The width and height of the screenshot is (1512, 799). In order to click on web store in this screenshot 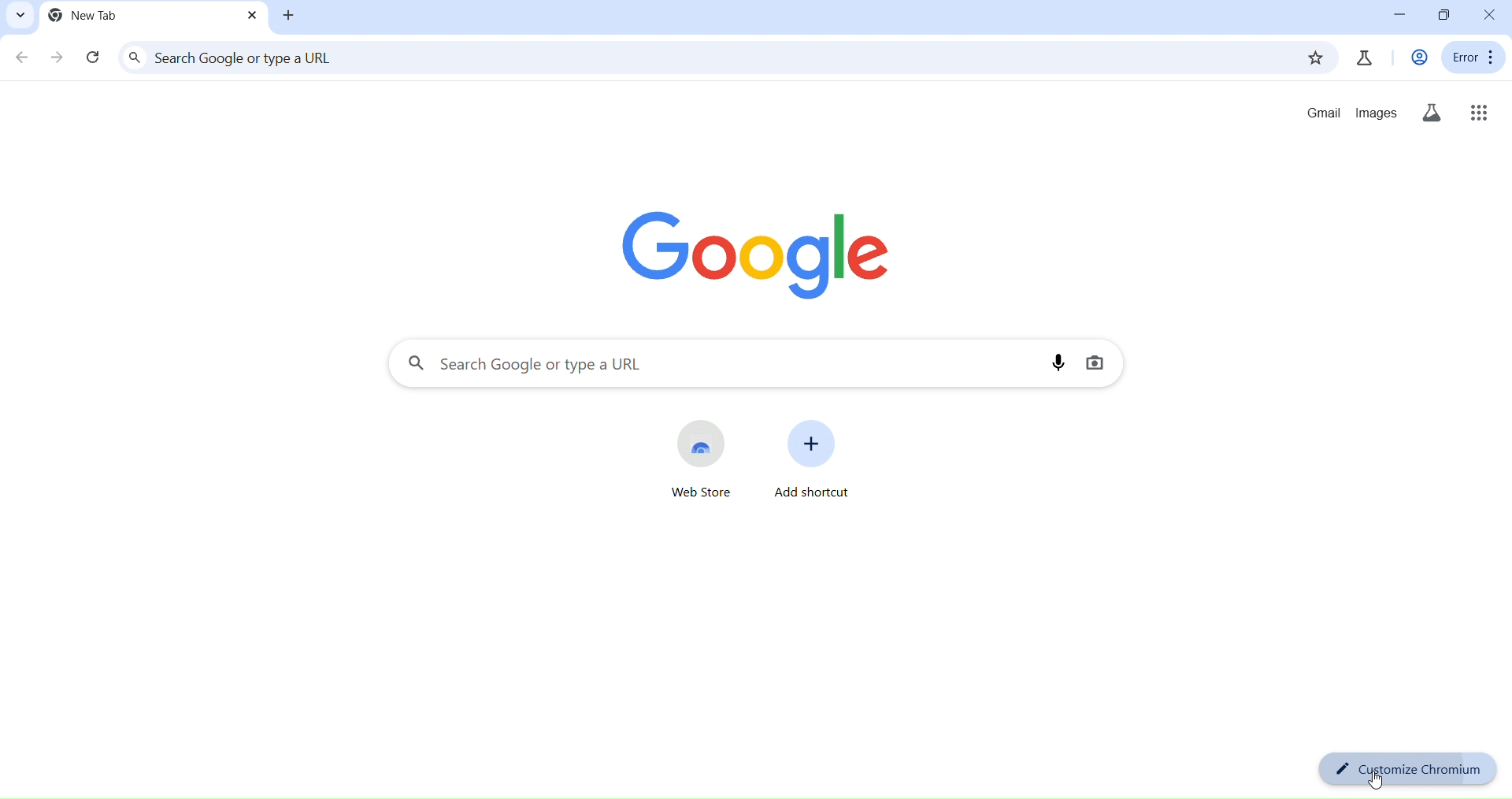, I will do `click(707, 457)`.